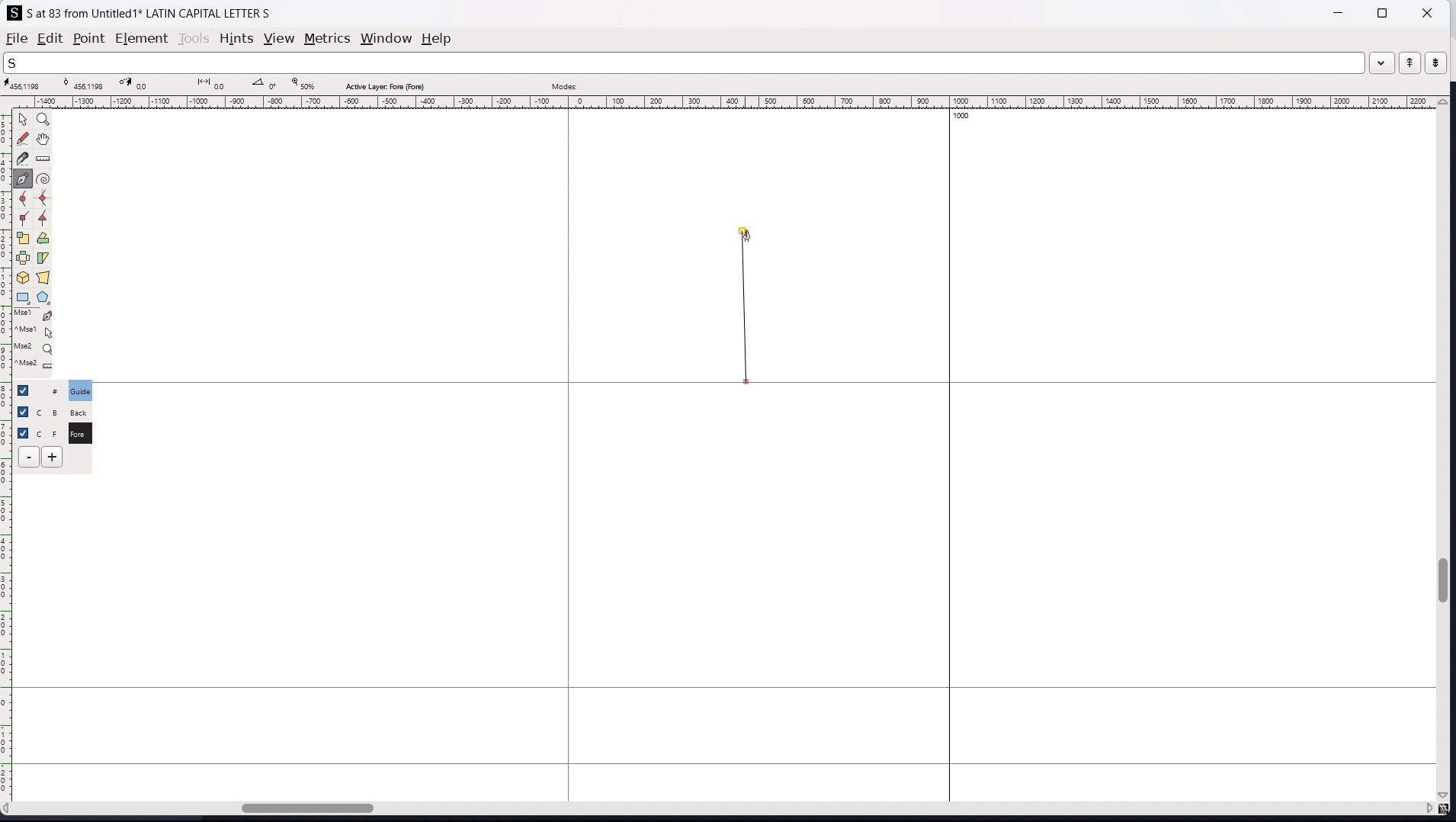  I want to click on add a tangent point, so click(43, 219).